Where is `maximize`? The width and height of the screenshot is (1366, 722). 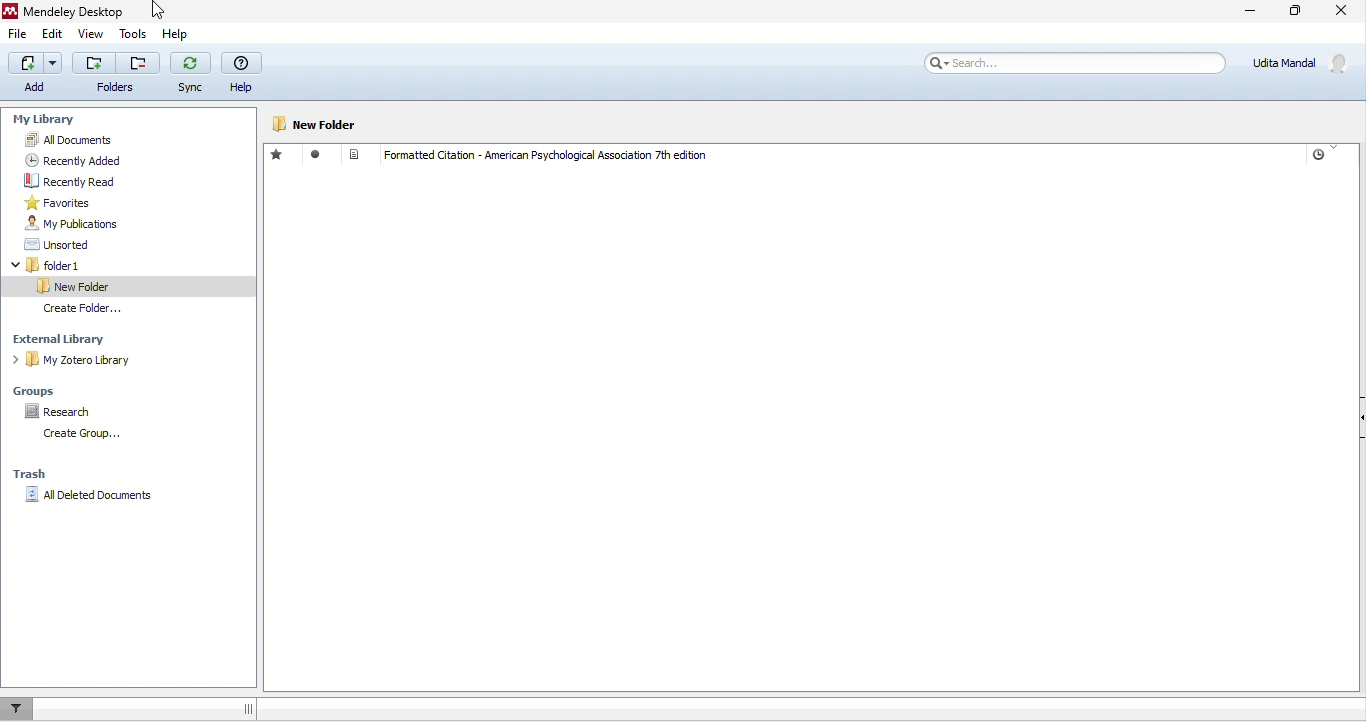 maximize is located at coordinates (1295, 10).